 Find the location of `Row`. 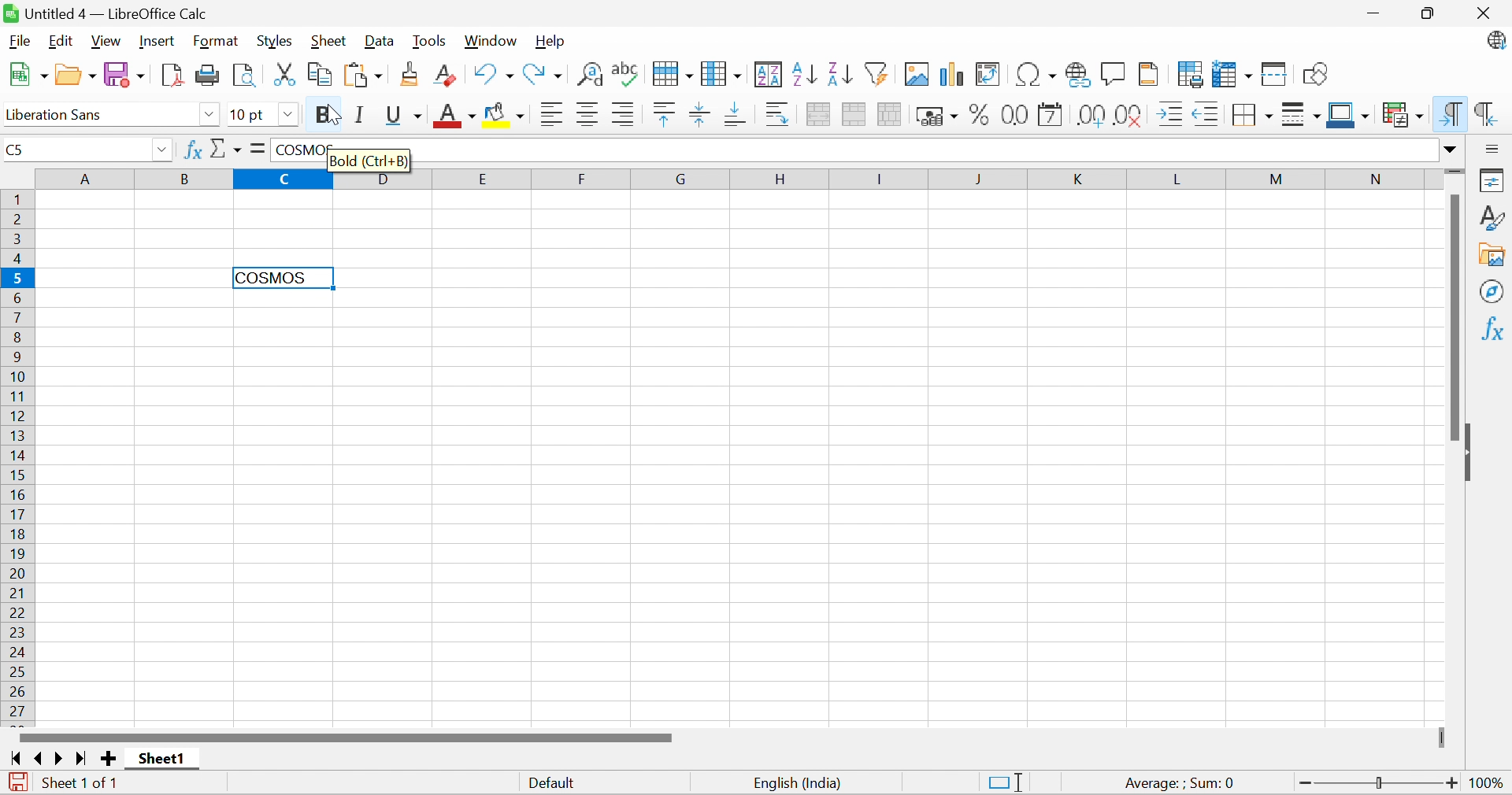

Row is located at coordinates (669, 76).